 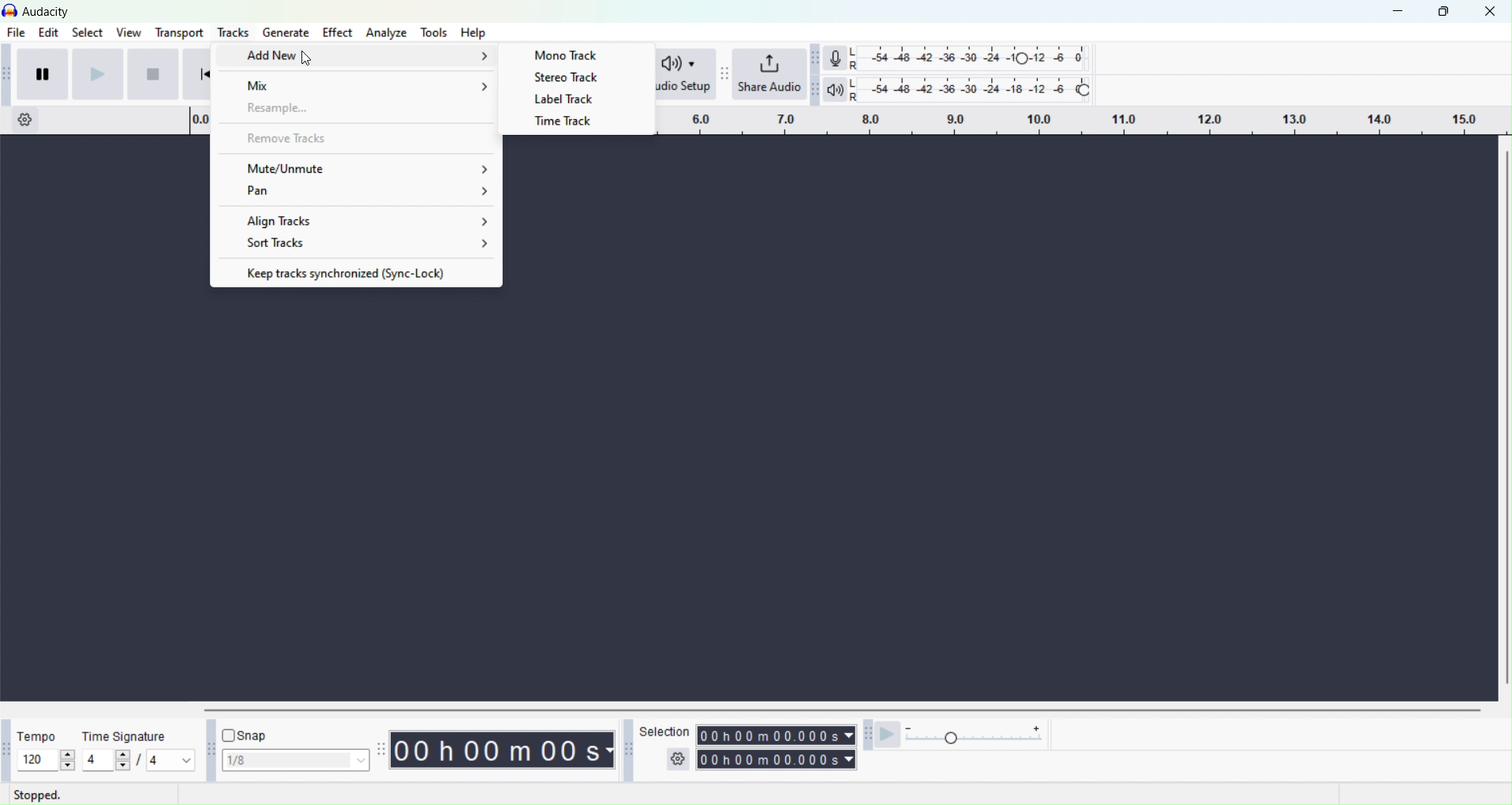 I want to click on Effect, so click(x=334, y=32).